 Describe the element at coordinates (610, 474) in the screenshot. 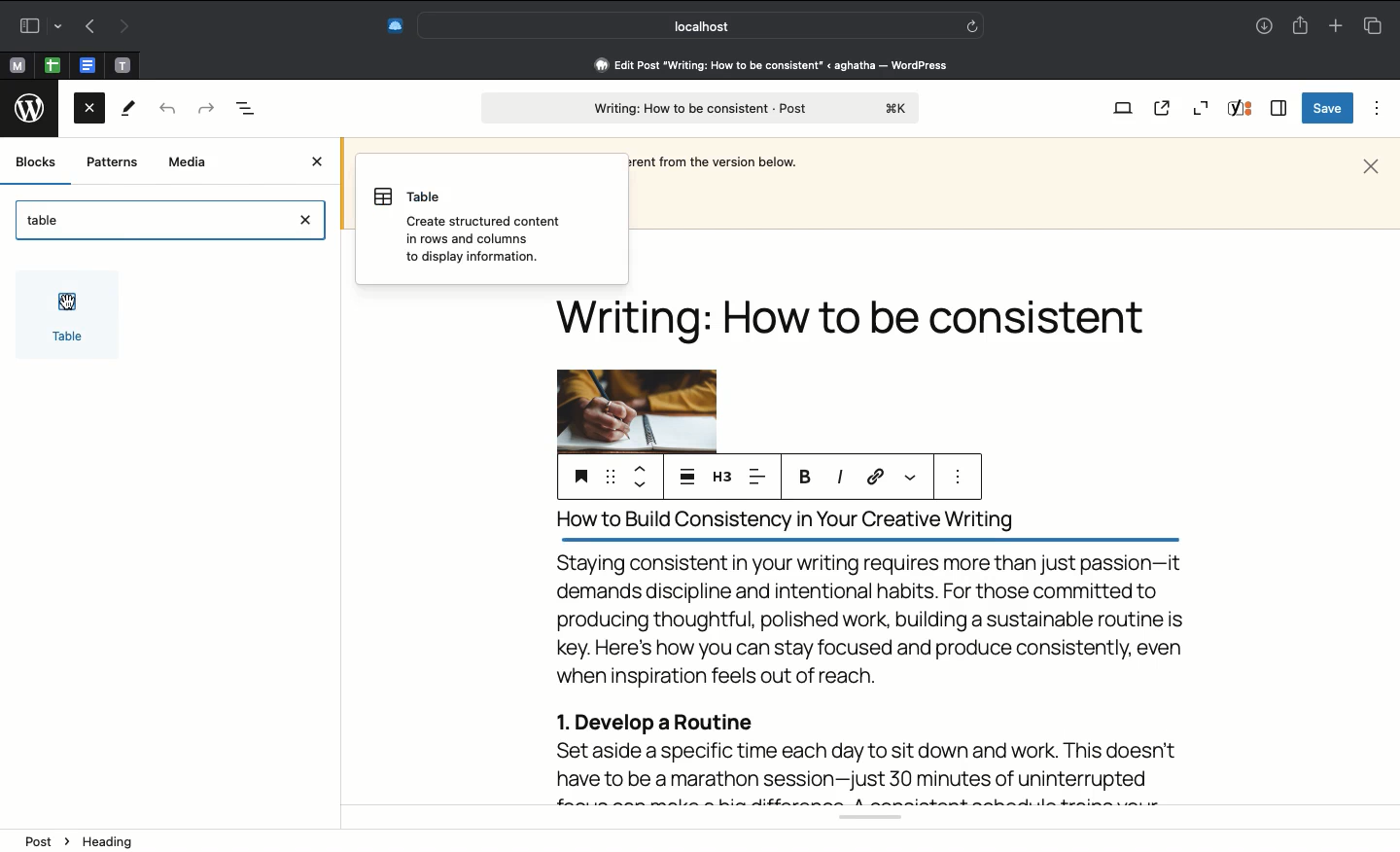

I see `Drag` at that location.